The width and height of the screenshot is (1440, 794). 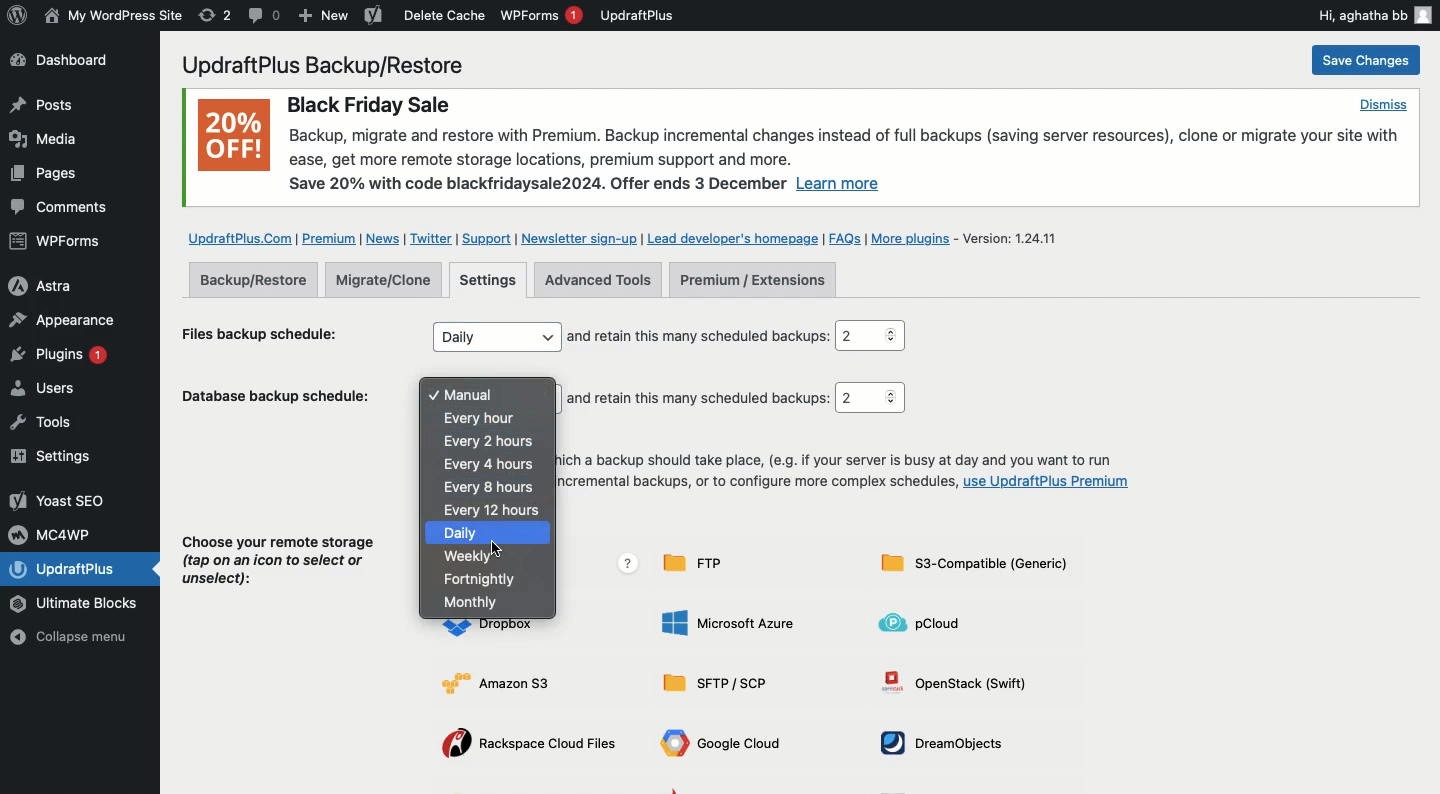 What do you see at coordinates (1373, 14) in the screenshot?
I see `Hi, aghatha bb` at bounding box center [1373, 14].